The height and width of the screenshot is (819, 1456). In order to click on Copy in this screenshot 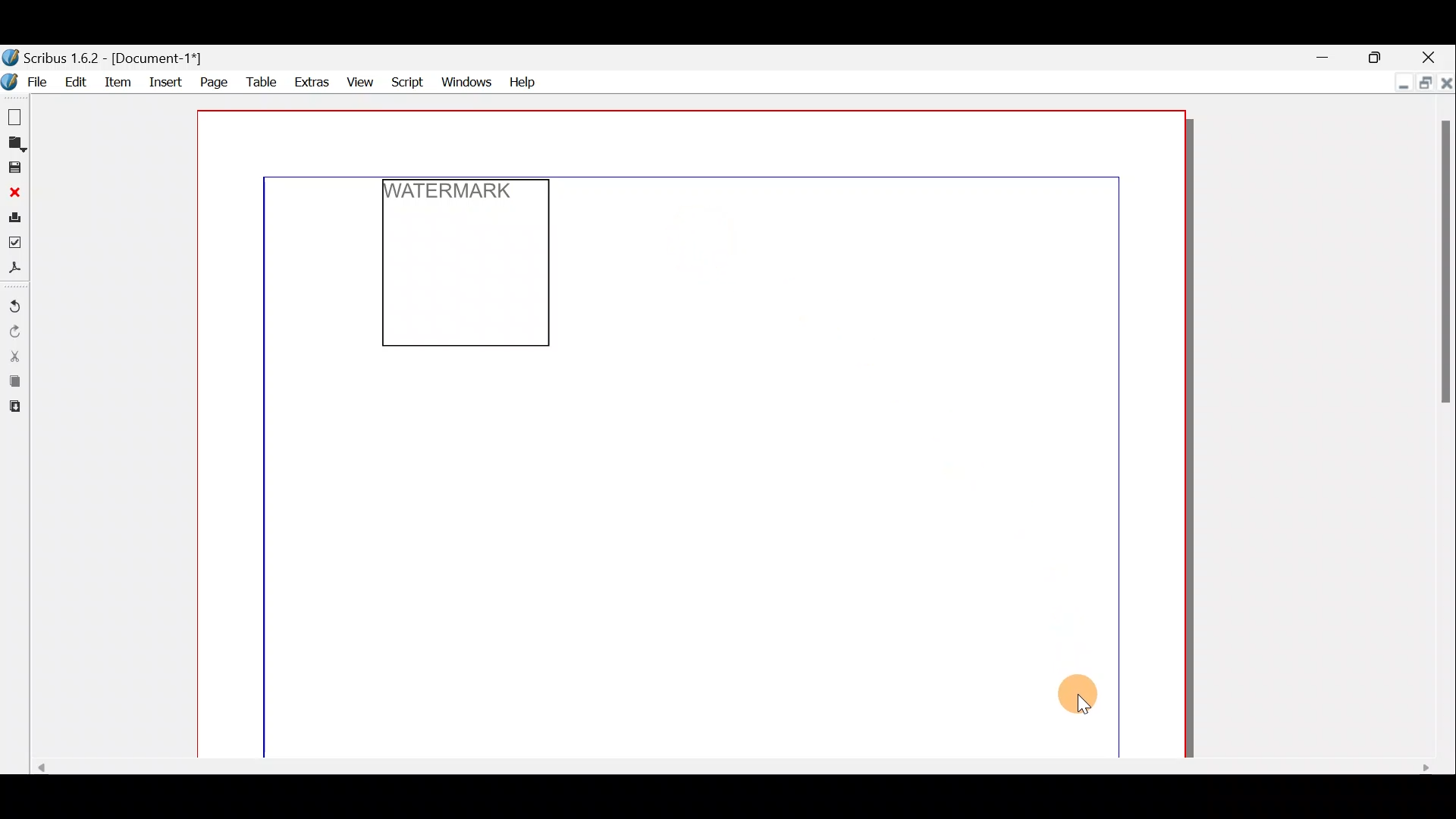, I will do `click(12, 383)`.